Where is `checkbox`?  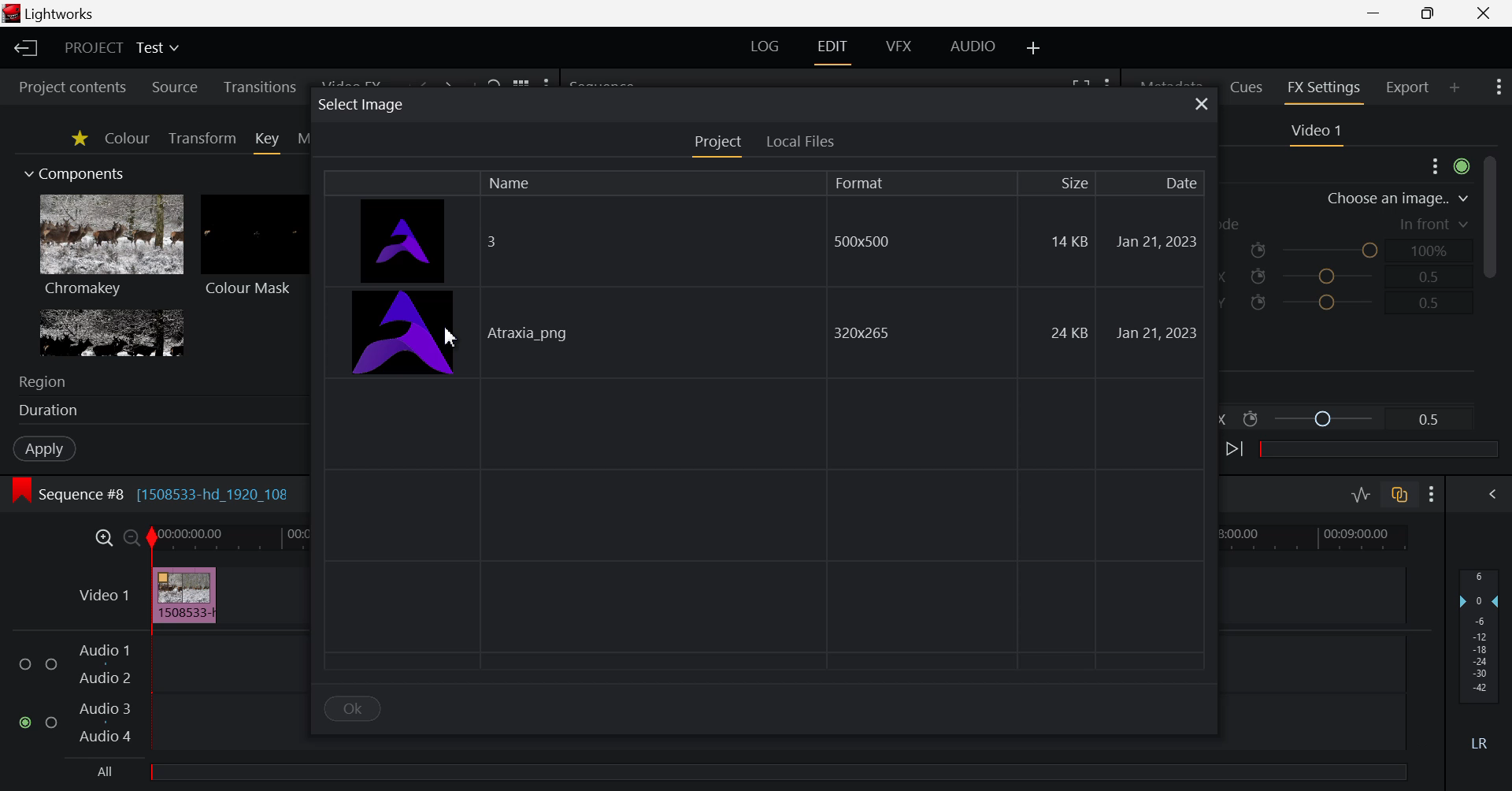
checkbox is located at coordinates (52, 664).